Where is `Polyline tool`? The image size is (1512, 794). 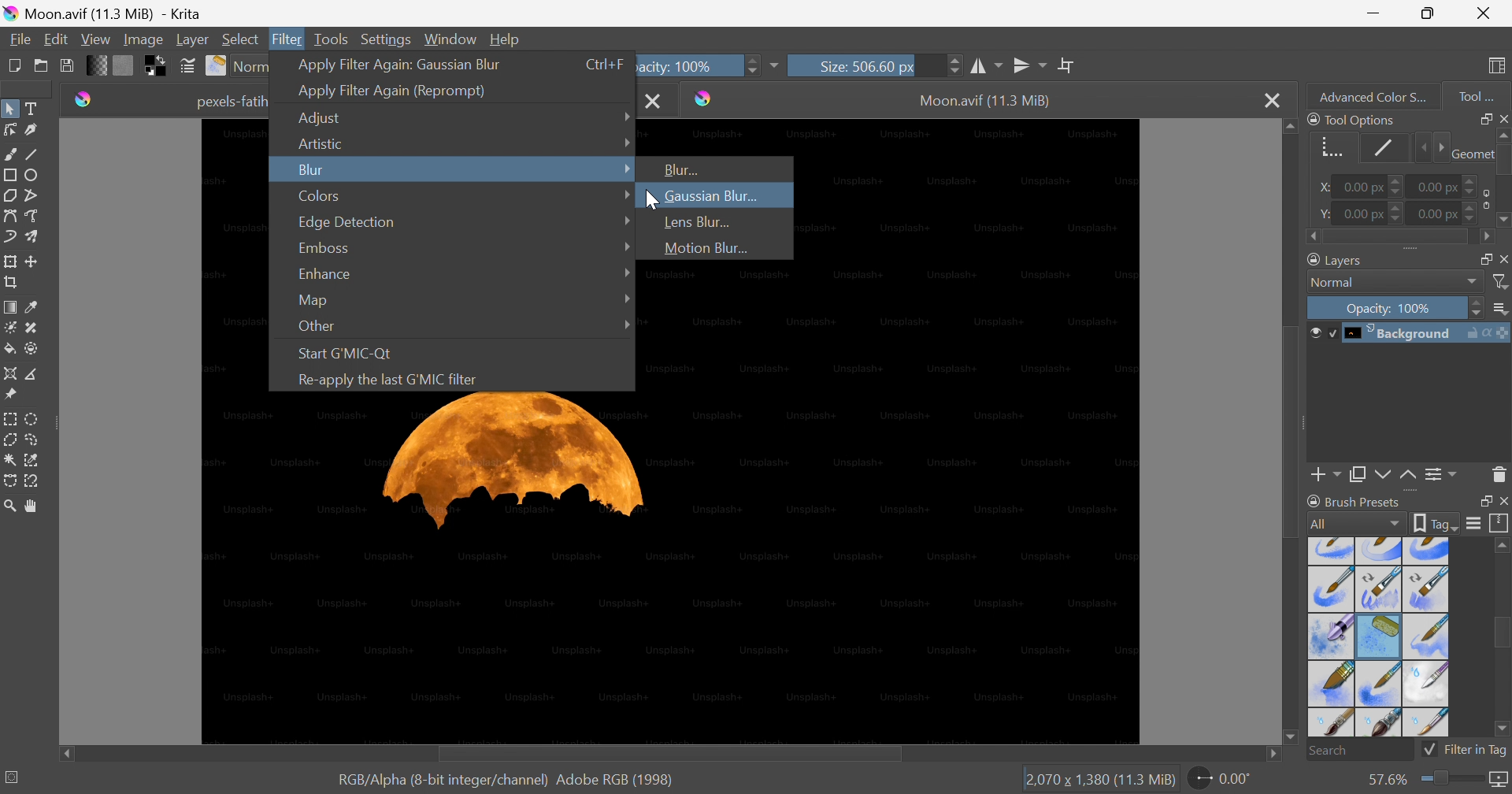 Polyline tool is located at coordinates (34, 195).